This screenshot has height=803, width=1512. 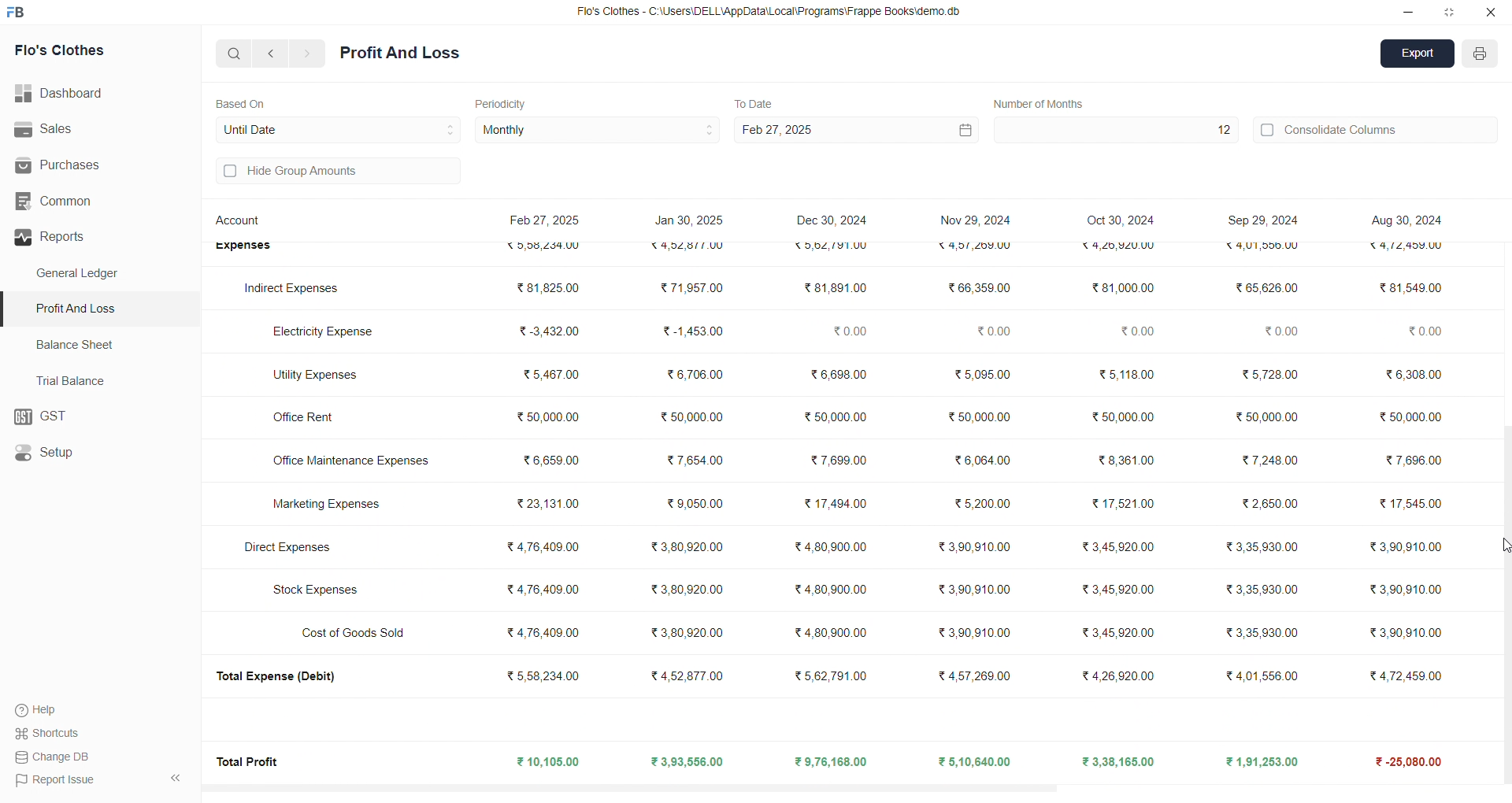 I want to click on Trial Balance, so click(x=76, y=380).